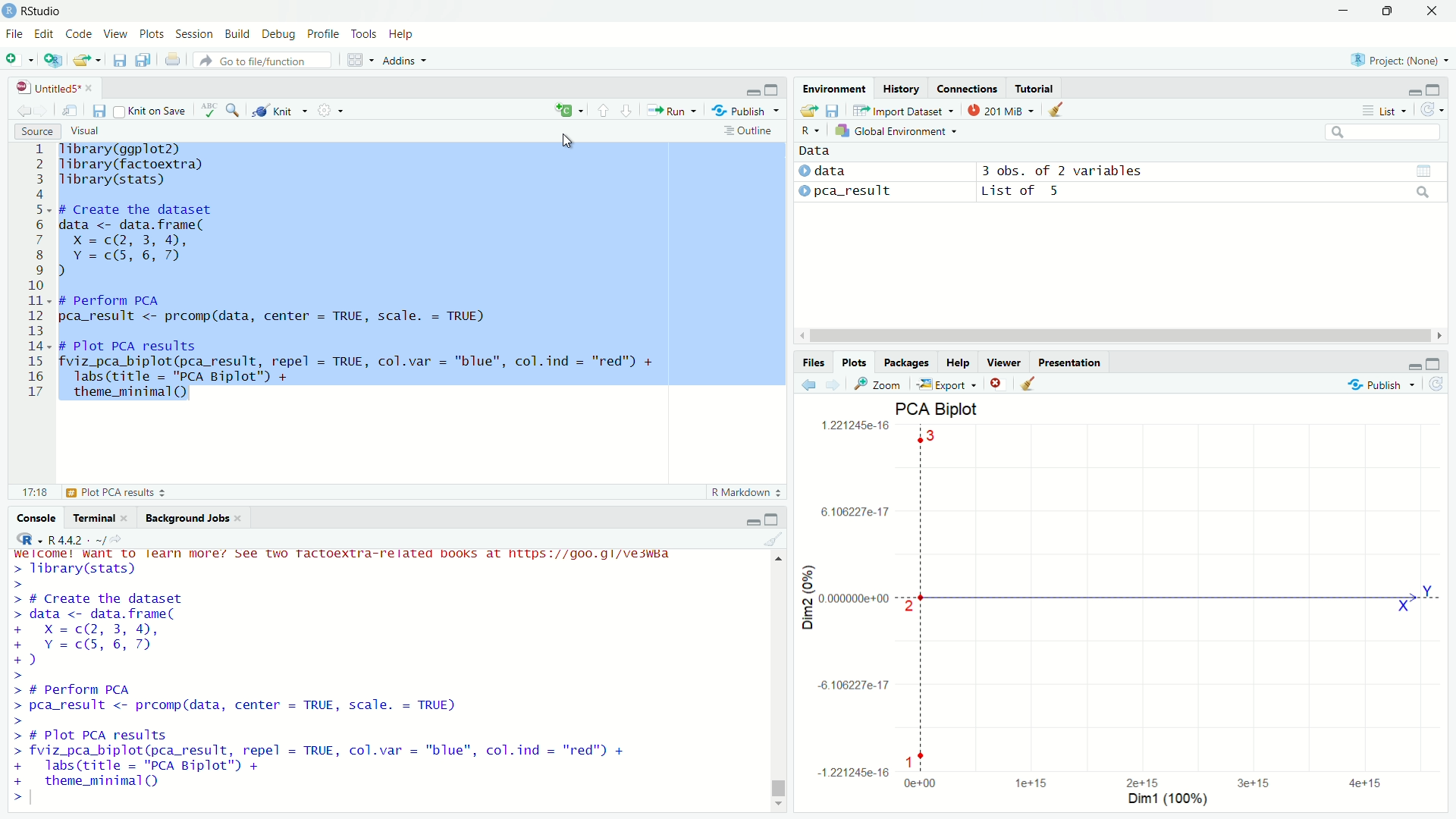 The image size is (1456, 819). What do you see at coordinates (966, 88) in the screenshot?
I see `connections` at bounding box center [966, 88].